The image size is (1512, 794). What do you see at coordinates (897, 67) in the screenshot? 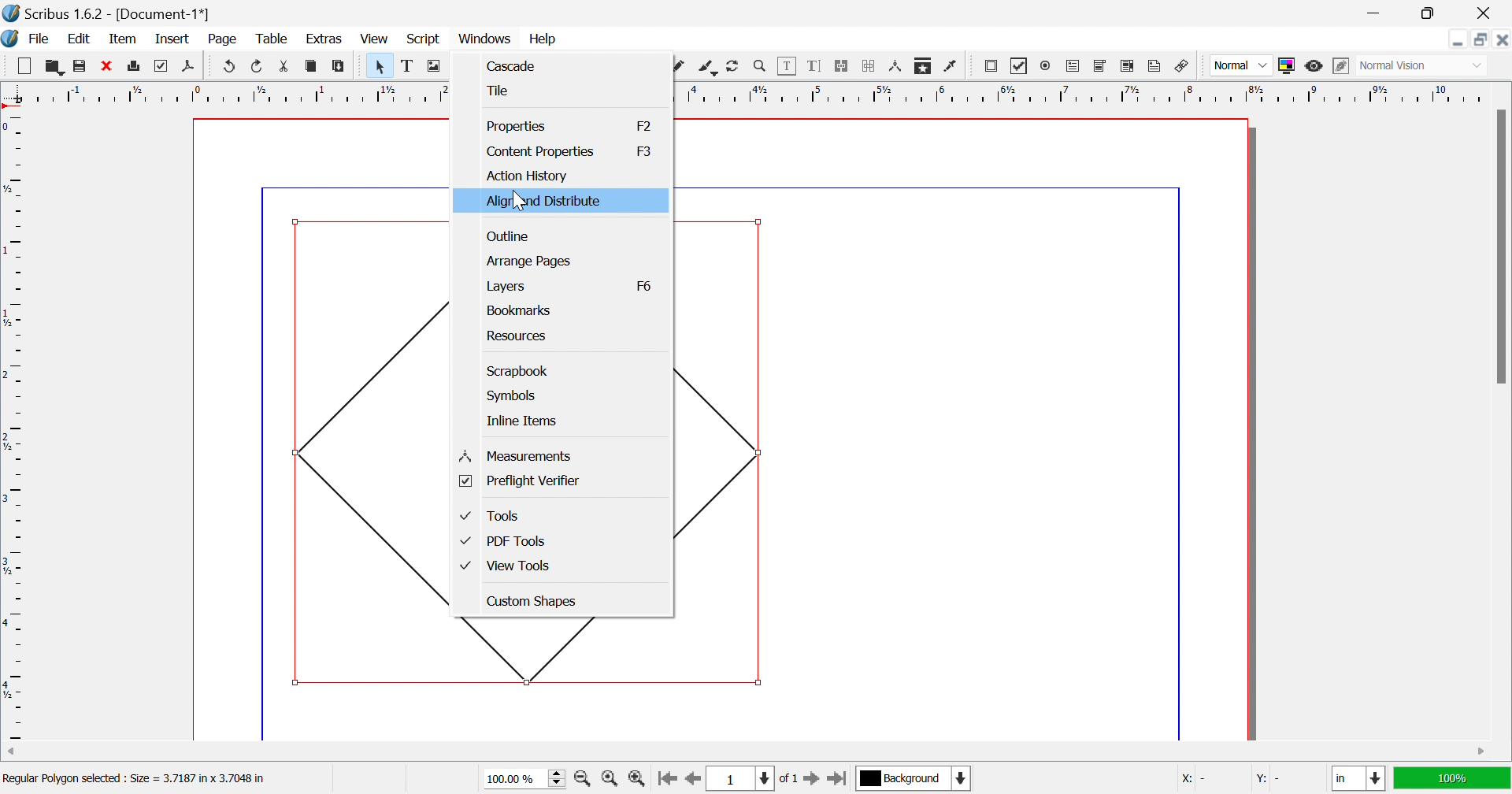
I see `Measurements` at bounding box center [897, 67].